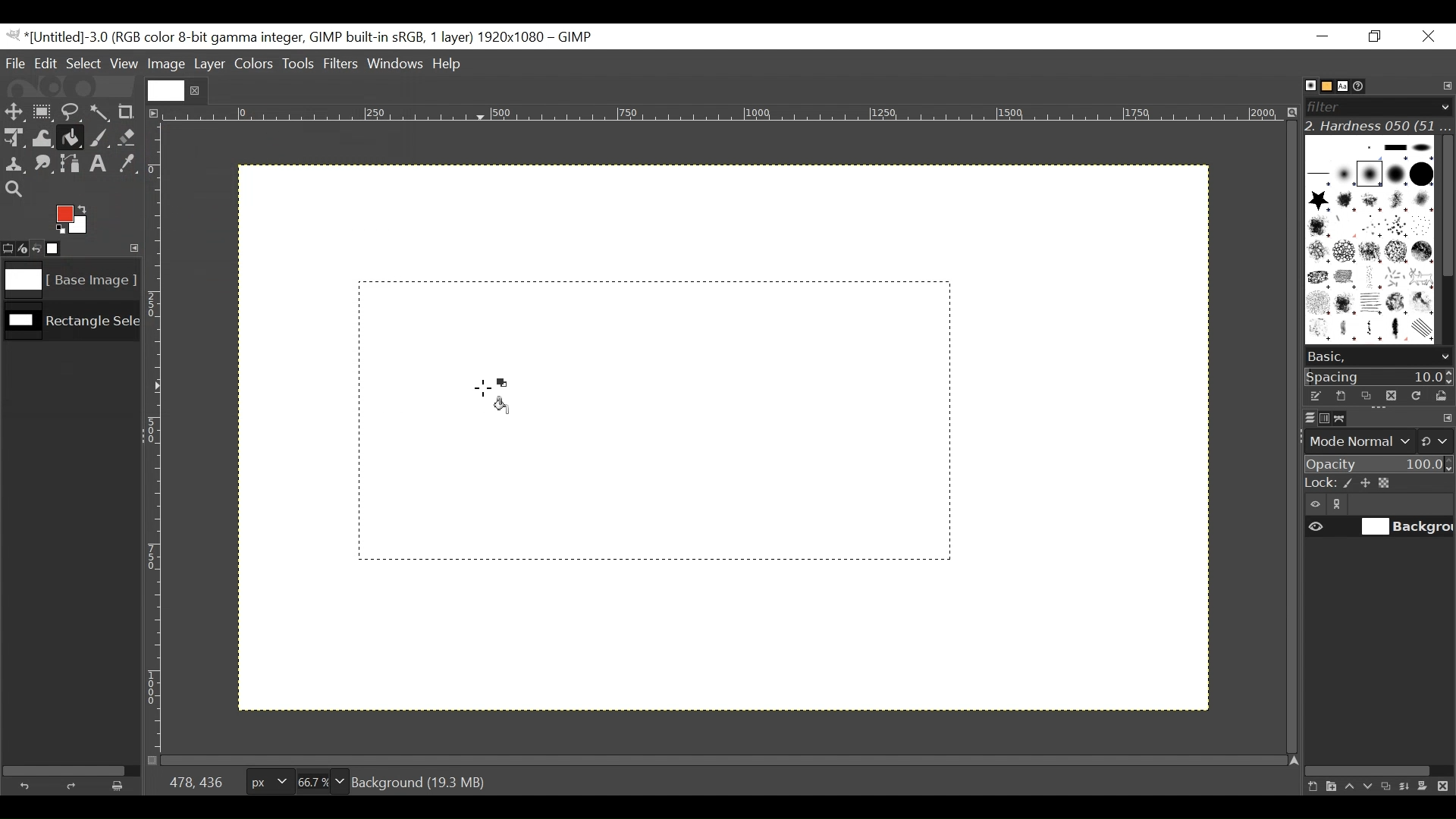  I want to click on Opacity, so click(1377, 465).